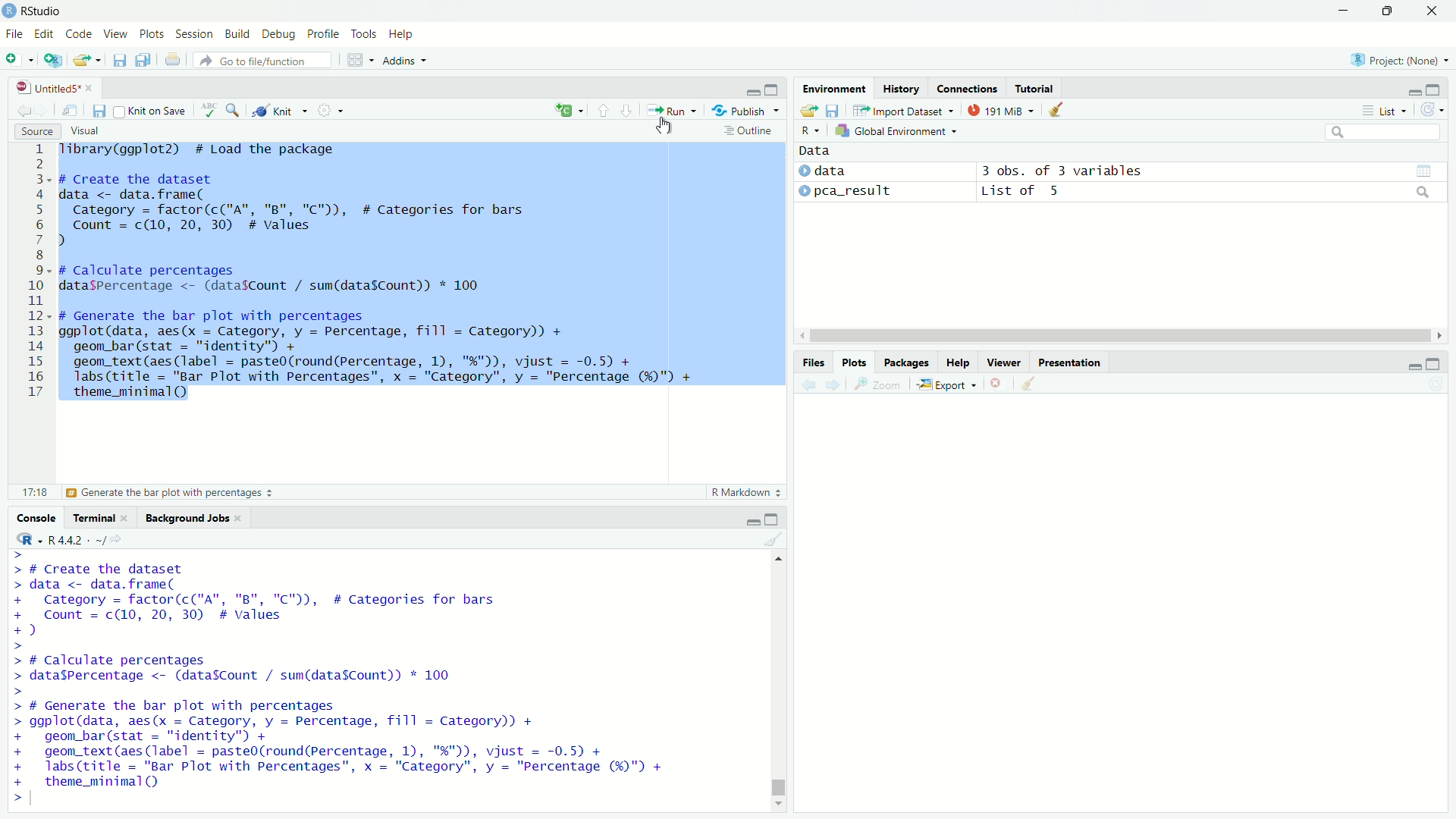 The width and height of the screenshot is (1456, 819). I want to click on go to file/function, so click(264, 59).